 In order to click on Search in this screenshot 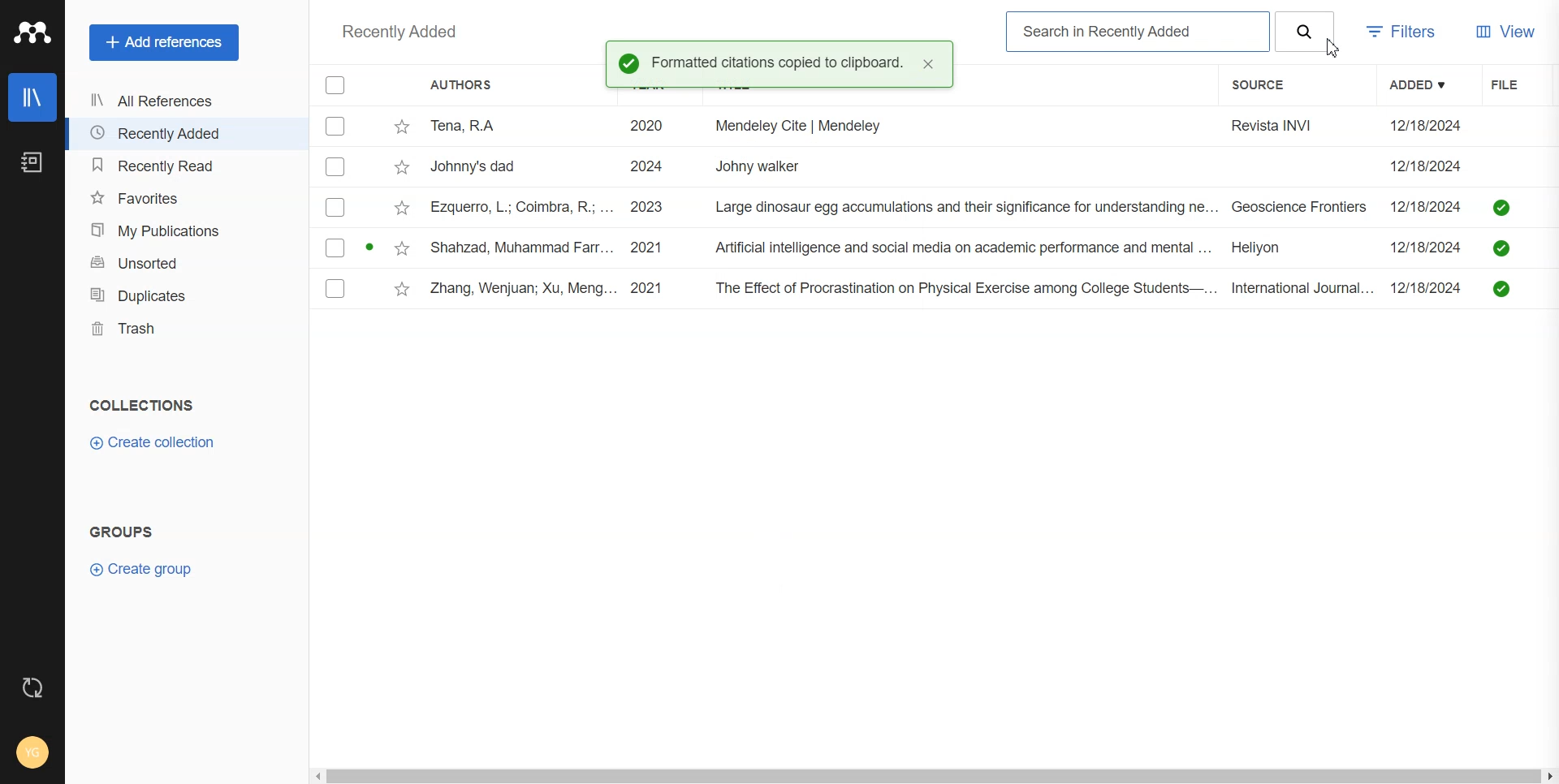, I will do `click(1306, 32)`.